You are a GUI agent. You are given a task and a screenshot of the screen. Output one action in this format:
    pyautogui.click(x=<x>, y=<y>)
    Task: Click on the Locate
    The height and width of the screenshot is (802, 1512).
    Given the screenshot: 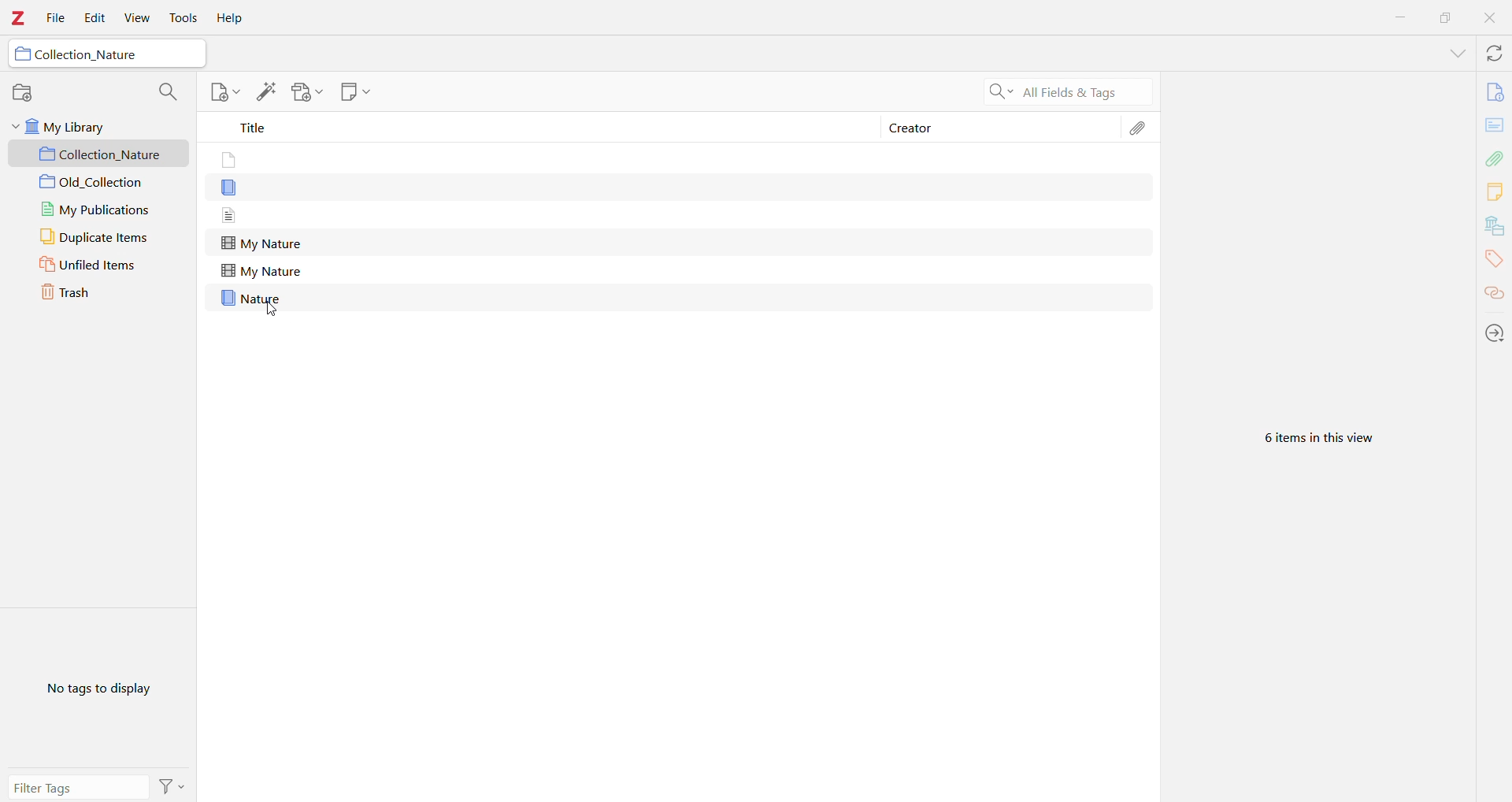 What is the action you would take?
    pyautogui.click(x=1495, y=334)
    